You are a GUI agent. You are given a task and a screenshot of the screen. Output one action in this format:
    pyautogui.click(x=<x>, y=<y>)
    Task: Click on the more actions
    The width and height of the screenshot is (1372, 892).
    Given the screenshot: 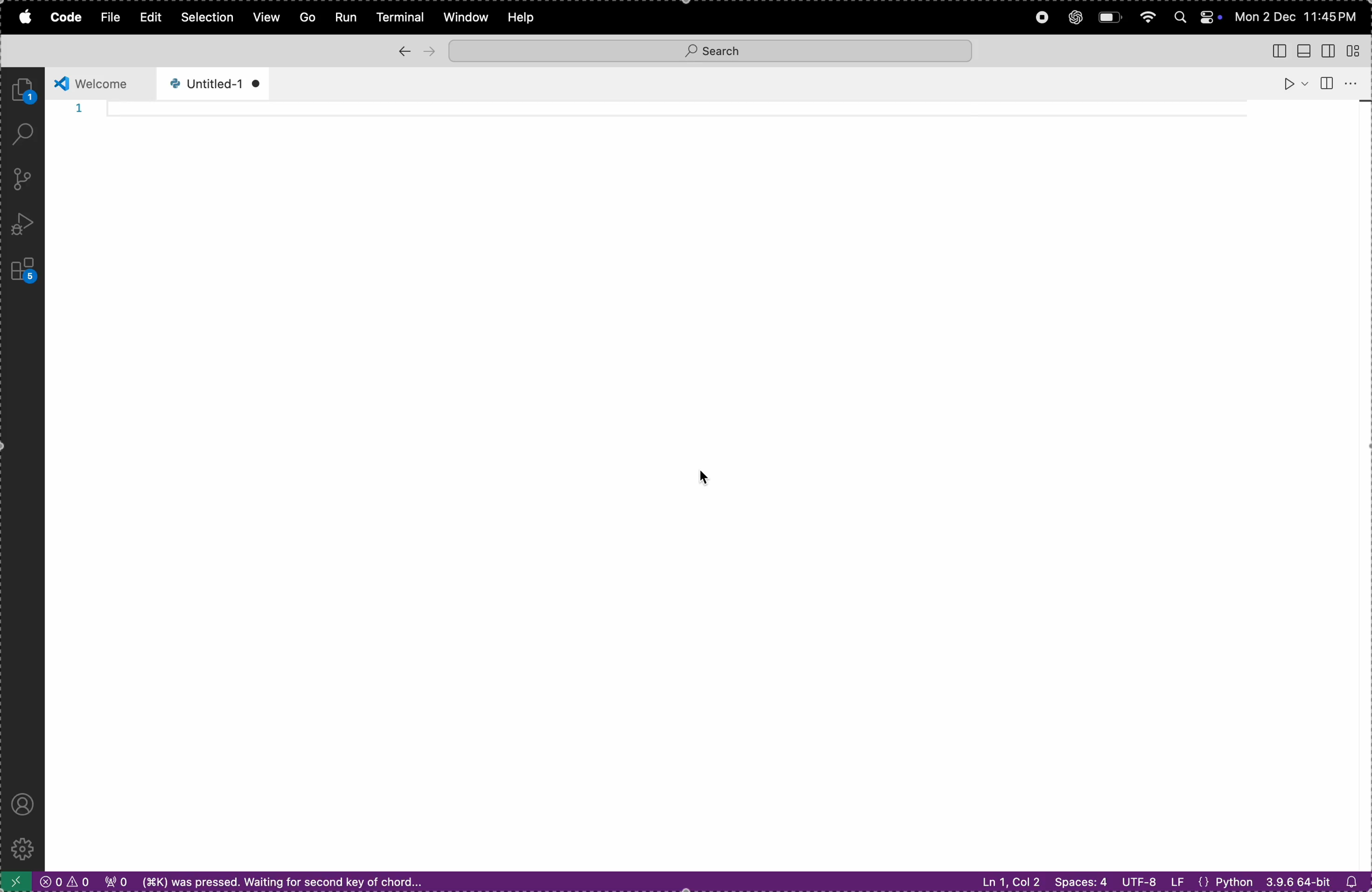 What is the action you would take?
    pyautogui.click(x=1352, y=81)
    